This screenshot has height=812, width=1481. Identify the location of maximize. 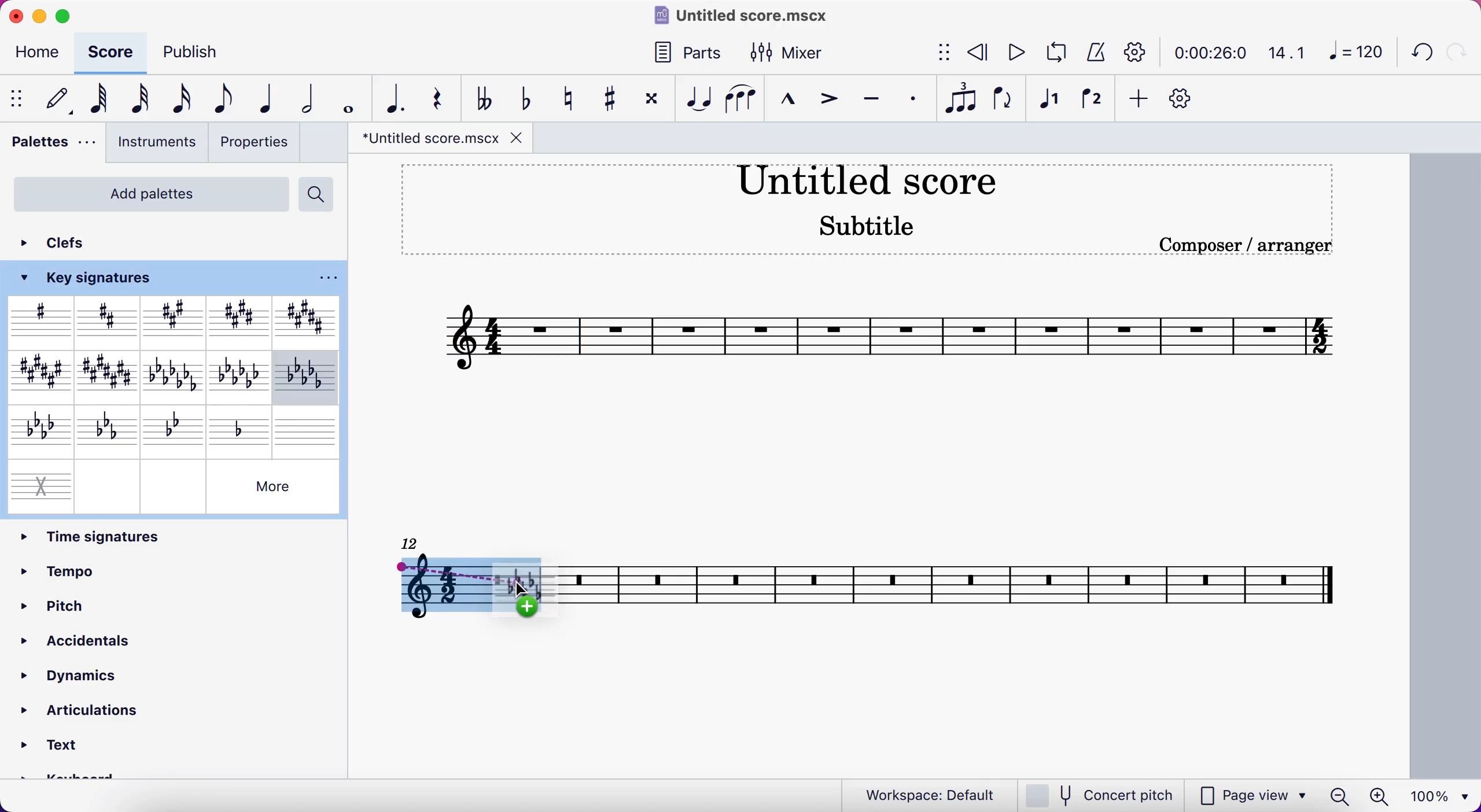
(68, 16).